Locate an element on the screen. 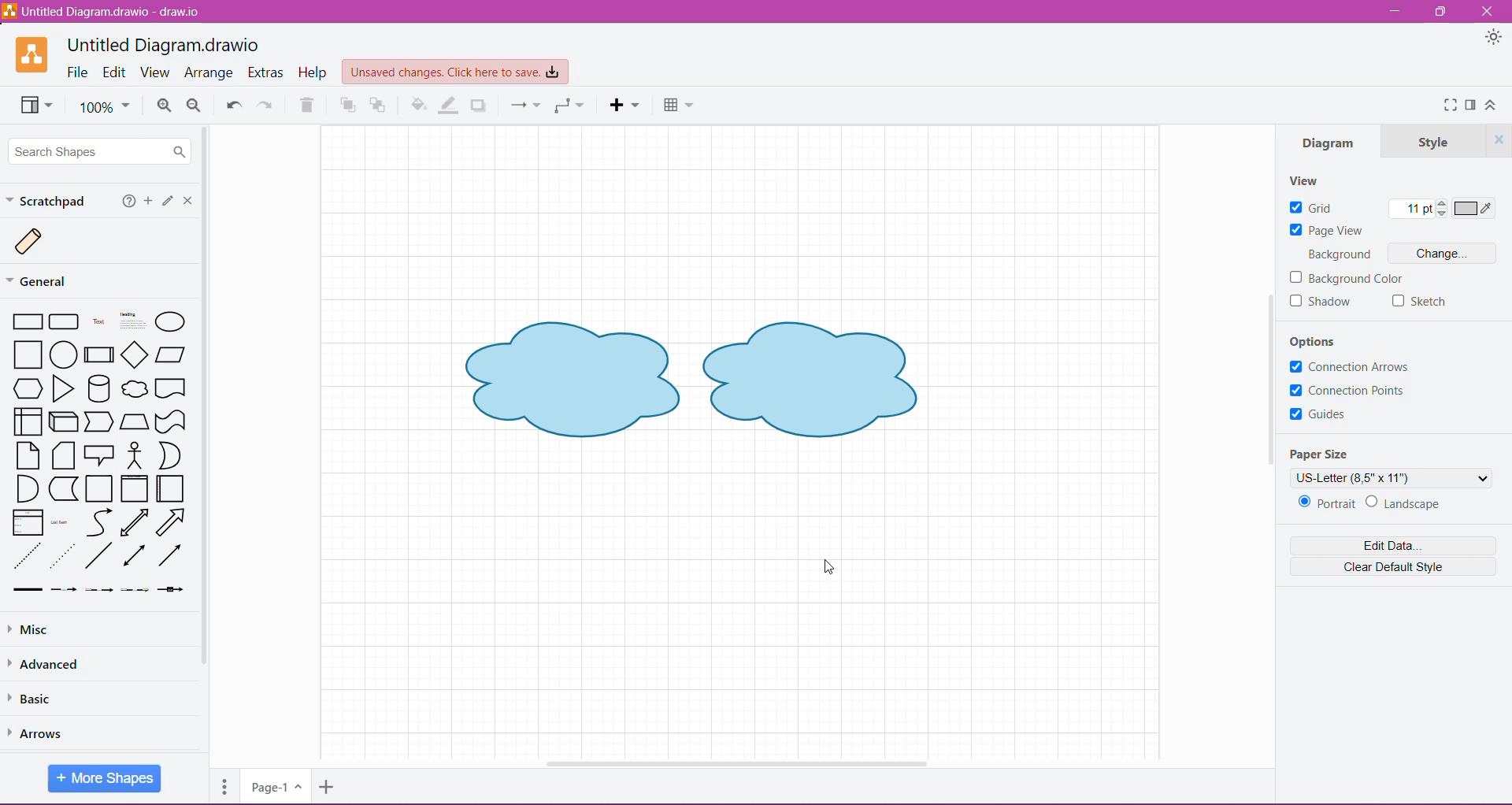 Image resolution: width=1512 pixels, height=805 pixels. Arrows is located at coordinates (40, 734).